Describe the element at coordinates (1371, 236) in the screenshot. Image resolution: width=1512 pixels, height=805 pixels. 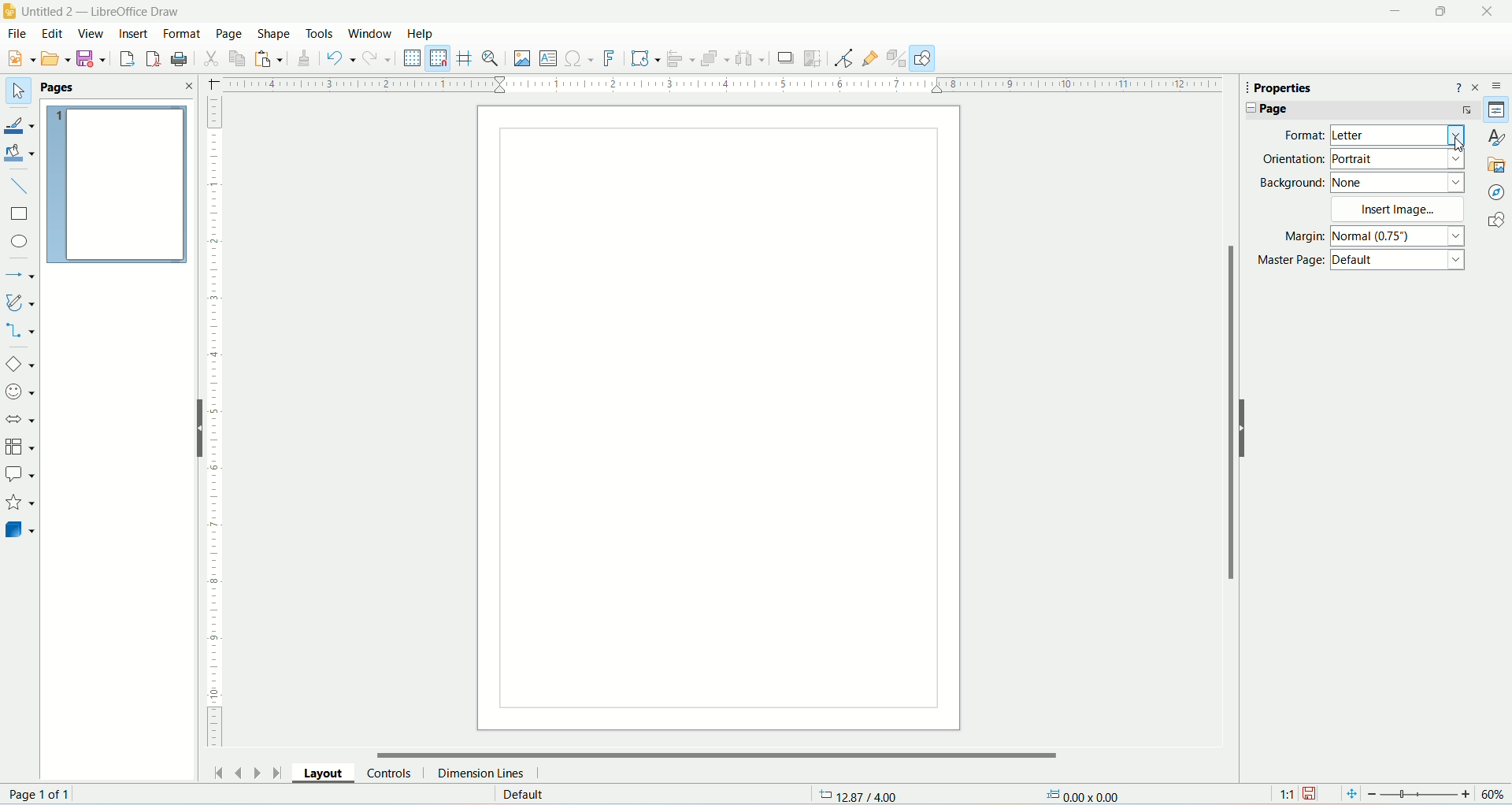
I see `margin` at that location.